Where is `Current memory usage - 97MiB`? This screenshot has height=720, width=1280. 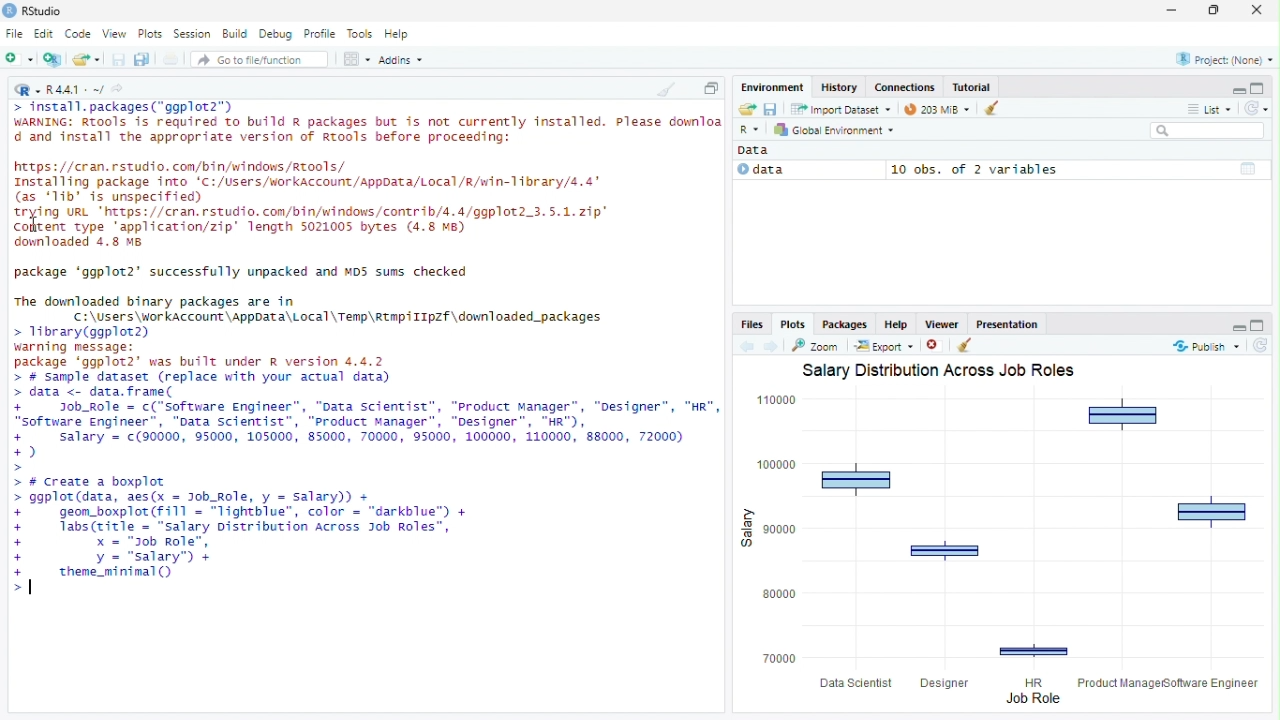
Current memory usage - 97MiB is located at coordinates (932, 109).